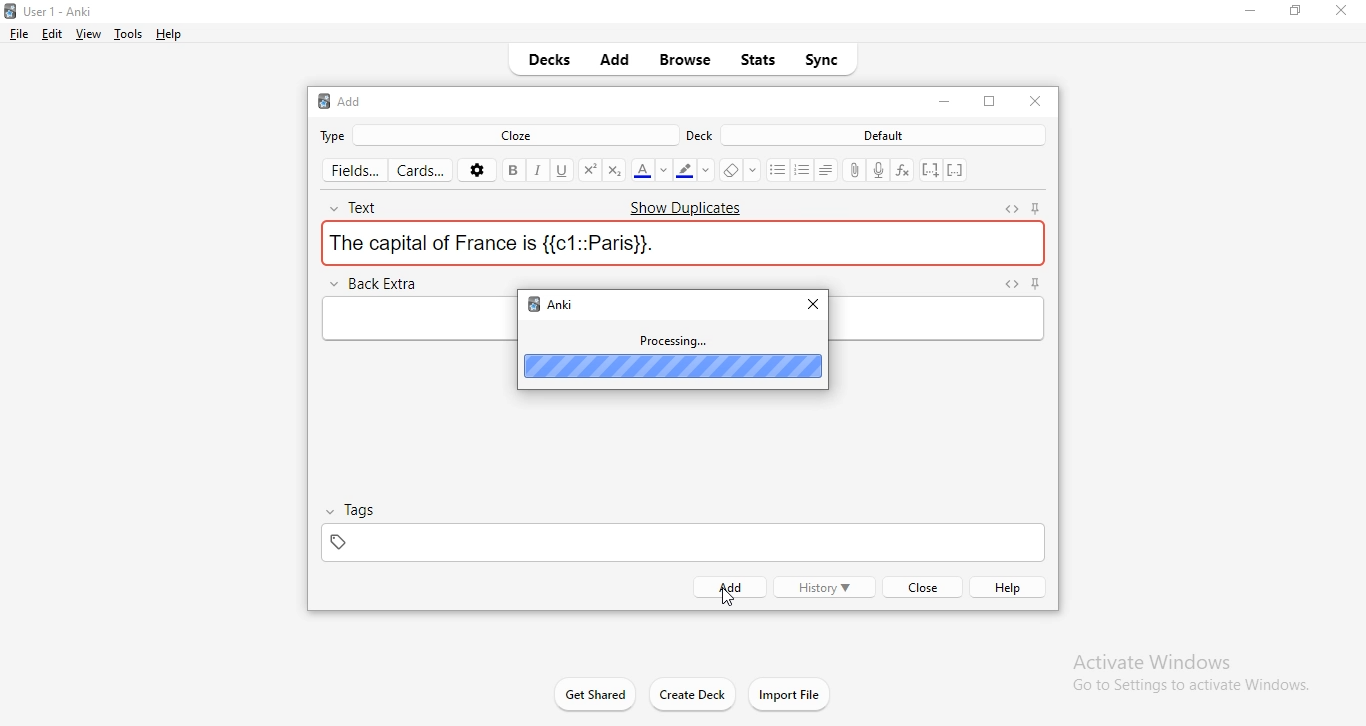 The width and height of the screenshot is (1366, 726). Describe the element at coordinates (555, 61) in the screenshot. I see `decks` at that location.